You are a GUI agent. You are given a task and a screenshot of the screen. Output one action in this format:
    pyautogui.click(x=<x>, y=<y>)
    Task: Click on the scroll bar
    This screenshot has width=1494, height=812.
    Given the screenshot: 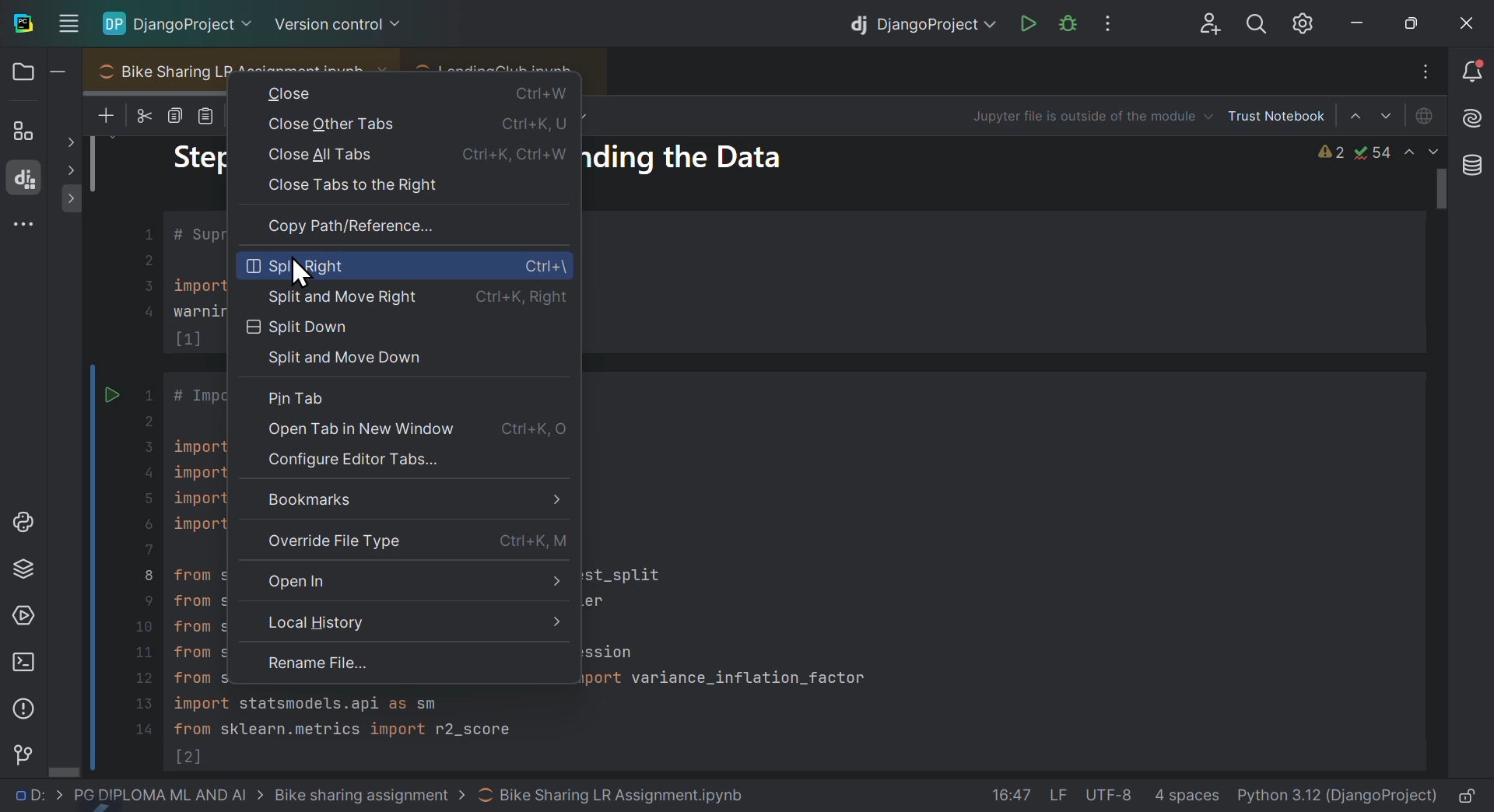 What is the action you would take?
    pyautogui.click(x=1440, y=191)
    